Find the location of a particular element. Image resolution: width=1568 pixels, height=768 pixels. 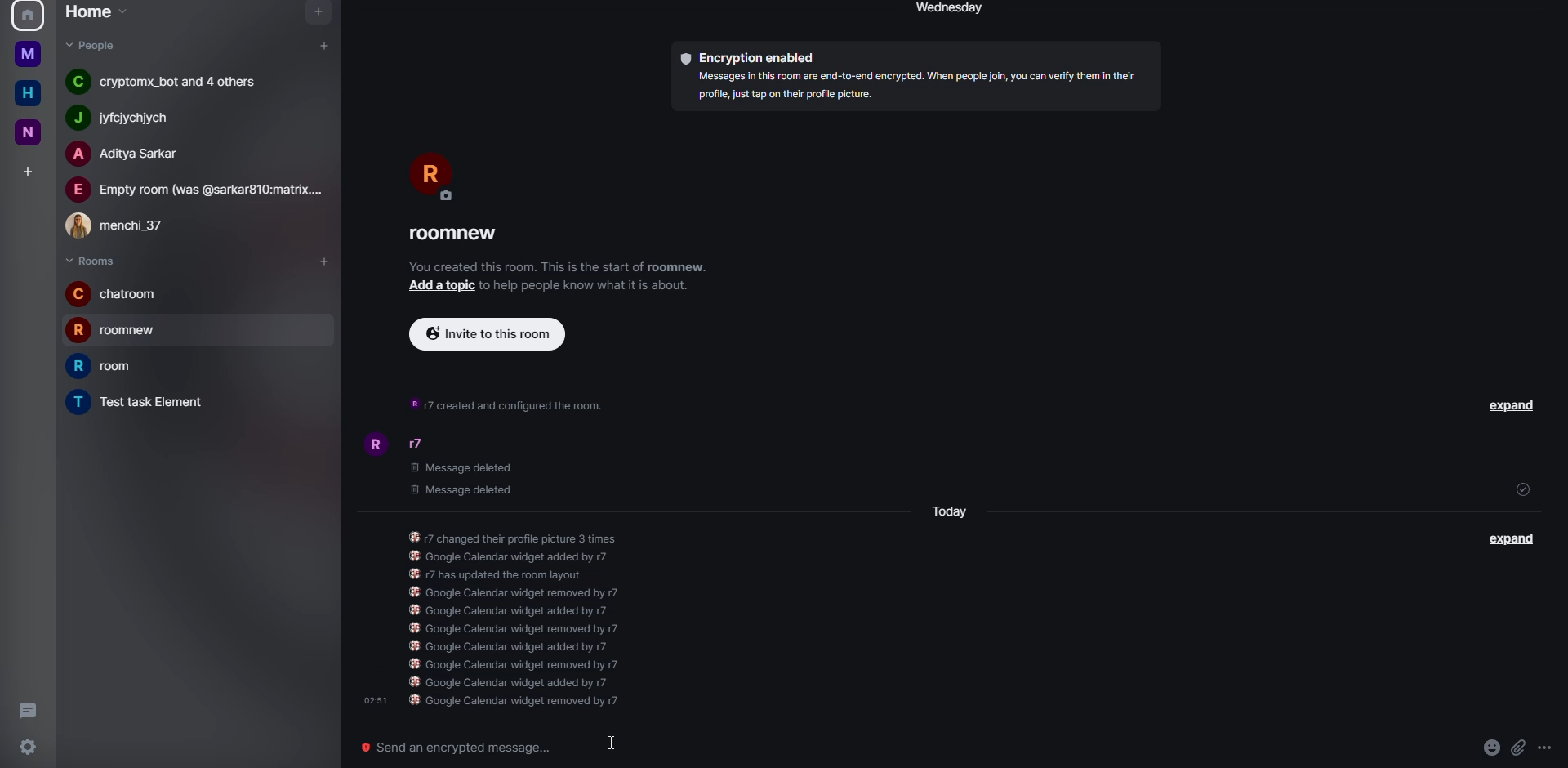

navigator is located at coordinates (316, 13).